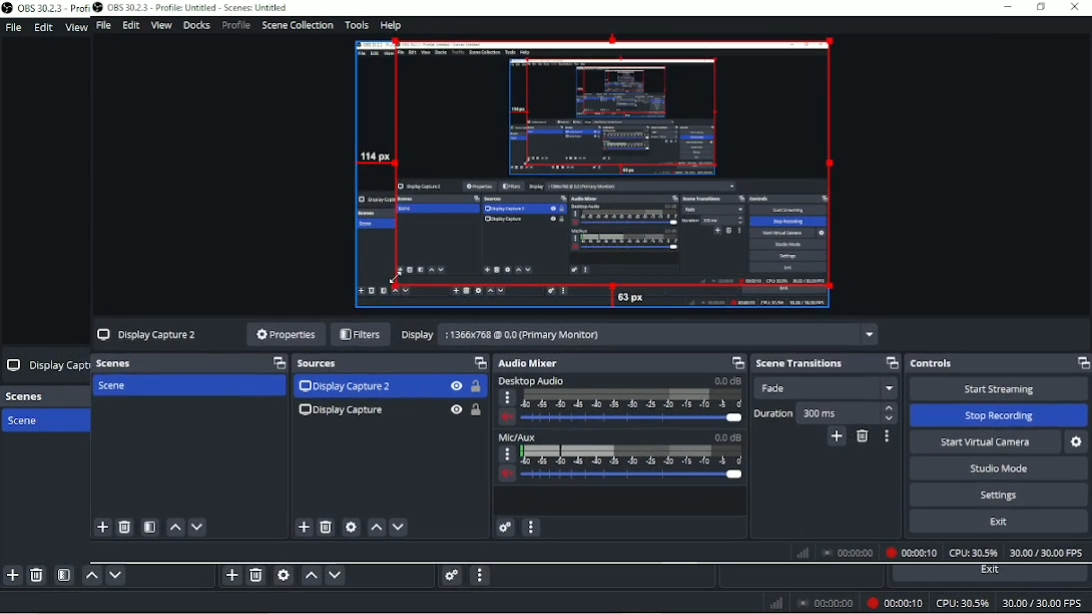  What do you see at coordinates (507, 420) in the screenshot?
I see `volume` at bounding box center [507, 420].